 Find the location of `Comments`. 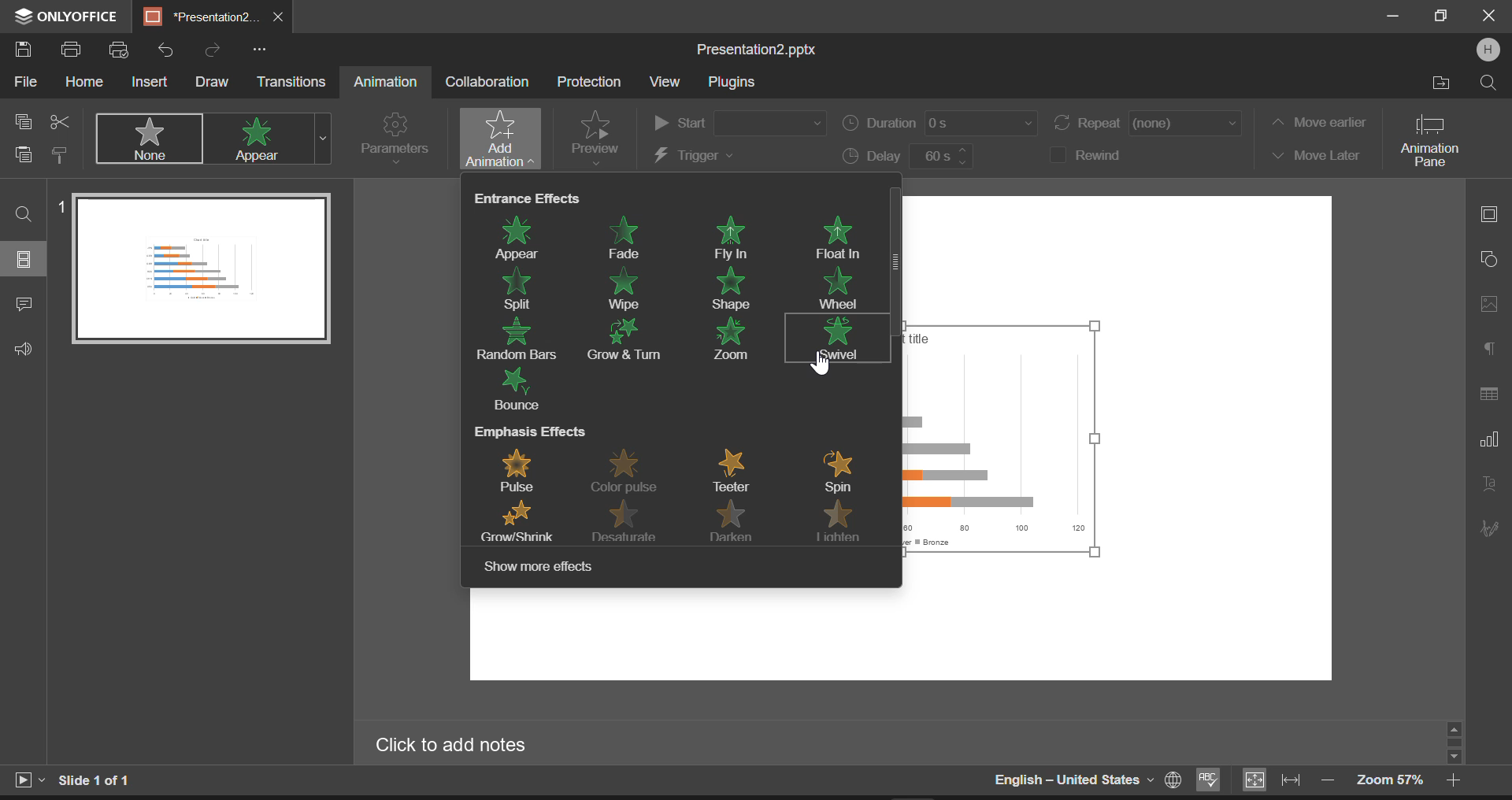

Comments is located at coordinates (24, 306).